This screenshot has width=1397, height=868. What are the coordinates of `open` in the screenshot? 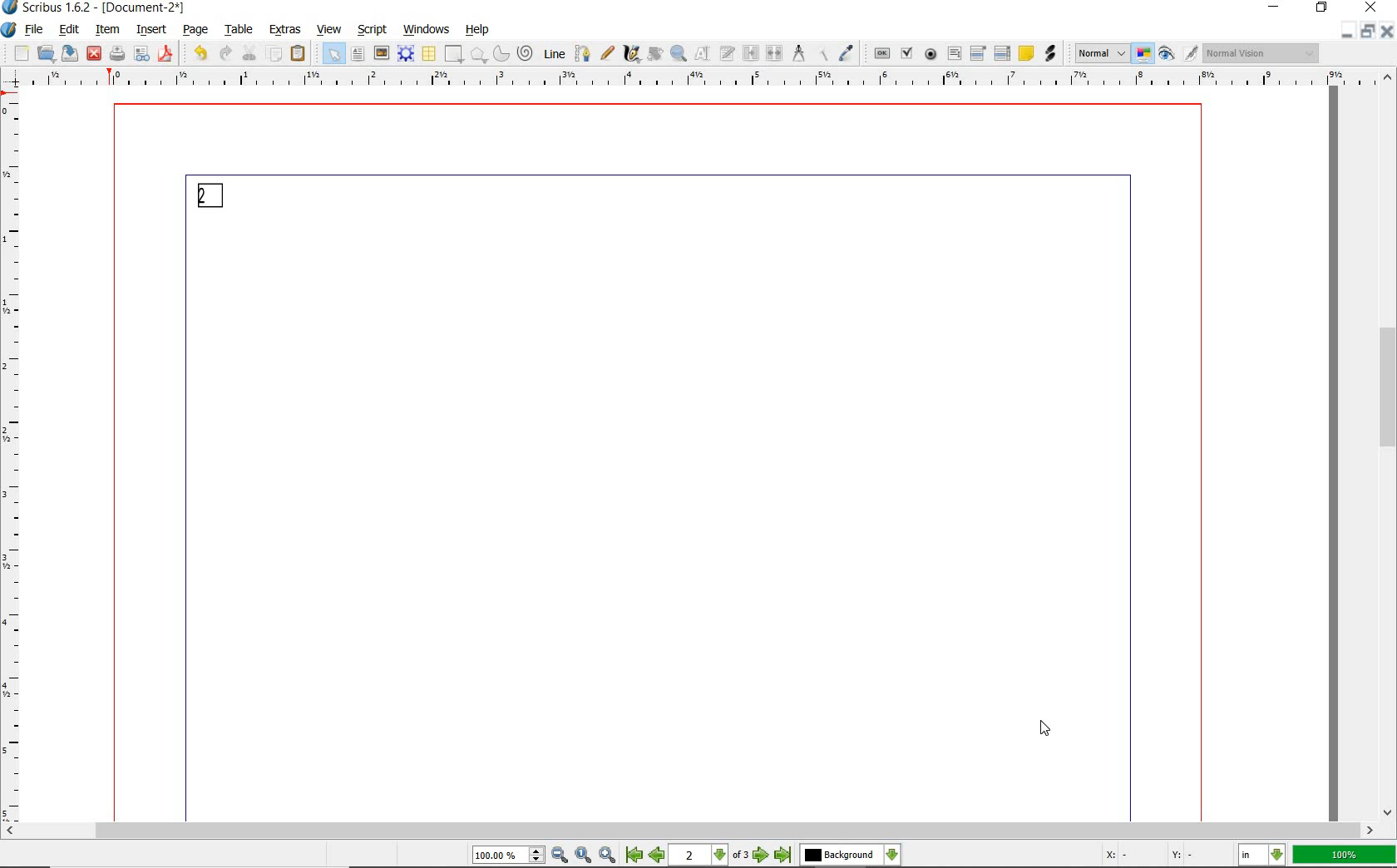 It's located at (47, 55).